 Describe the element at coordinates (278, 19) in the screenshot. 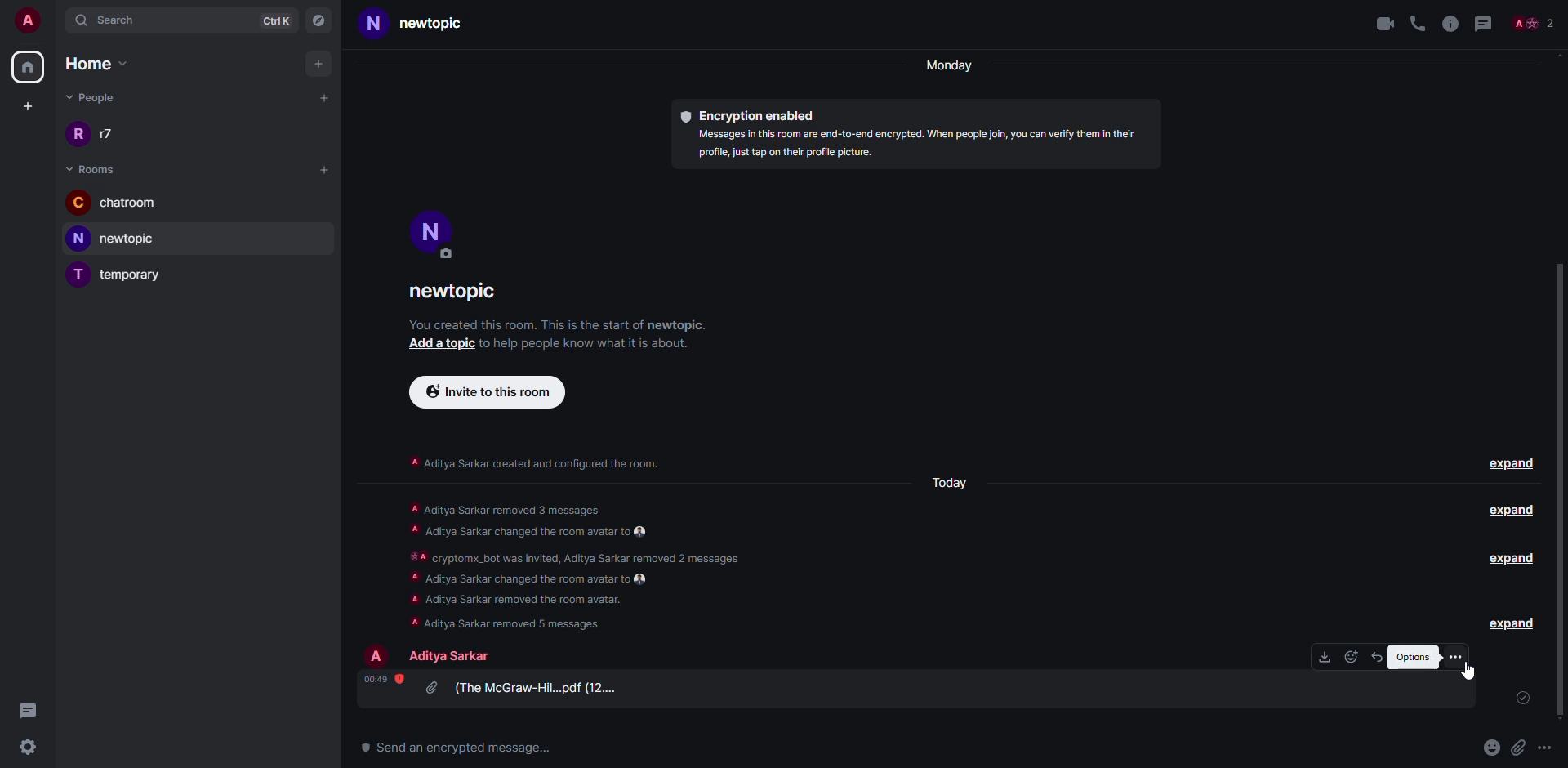

I see `ctrlK` at that location.